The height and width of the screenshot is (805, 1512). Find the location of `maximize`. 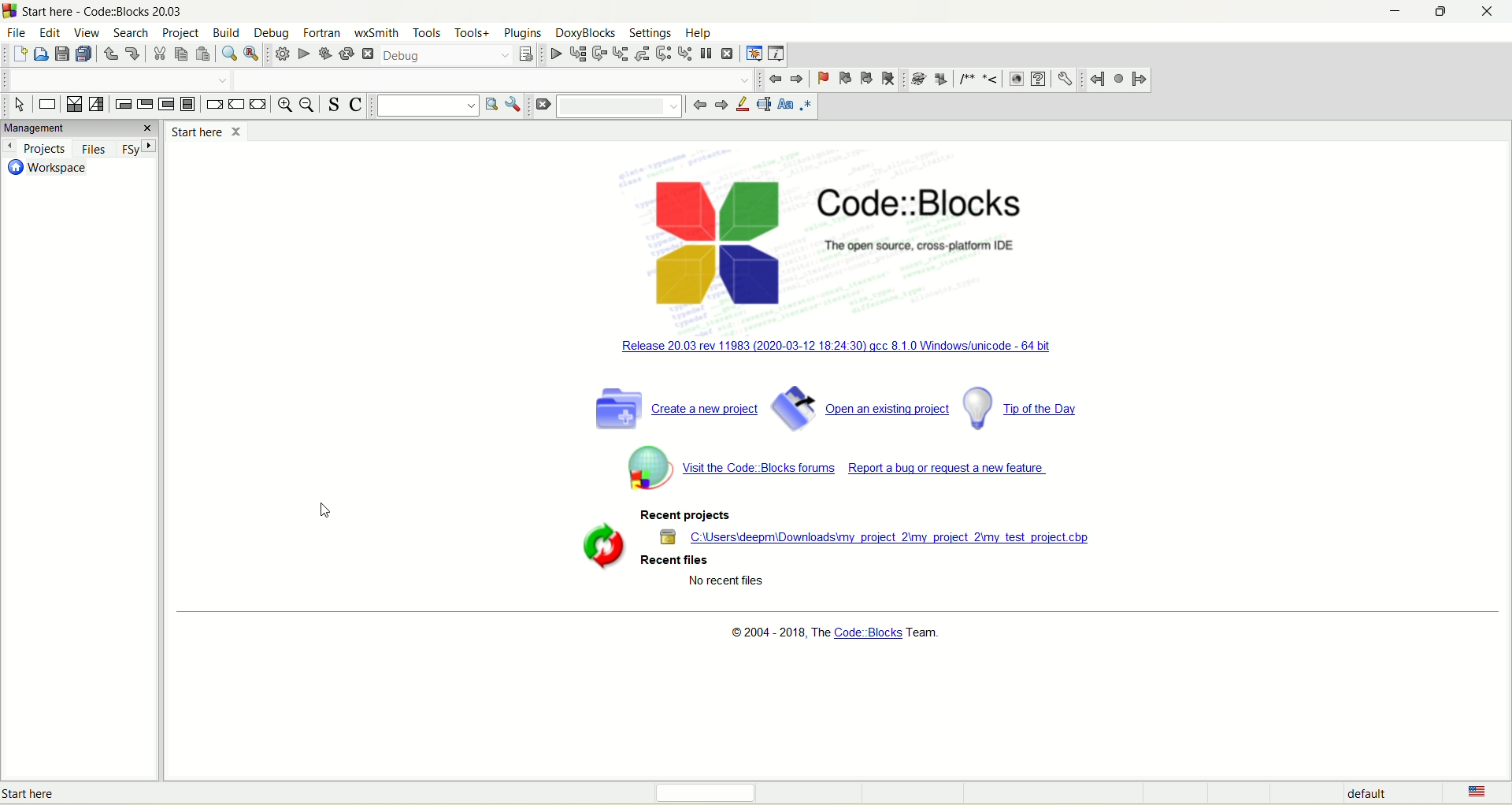

maximize is located at coordinates (1445, 11).